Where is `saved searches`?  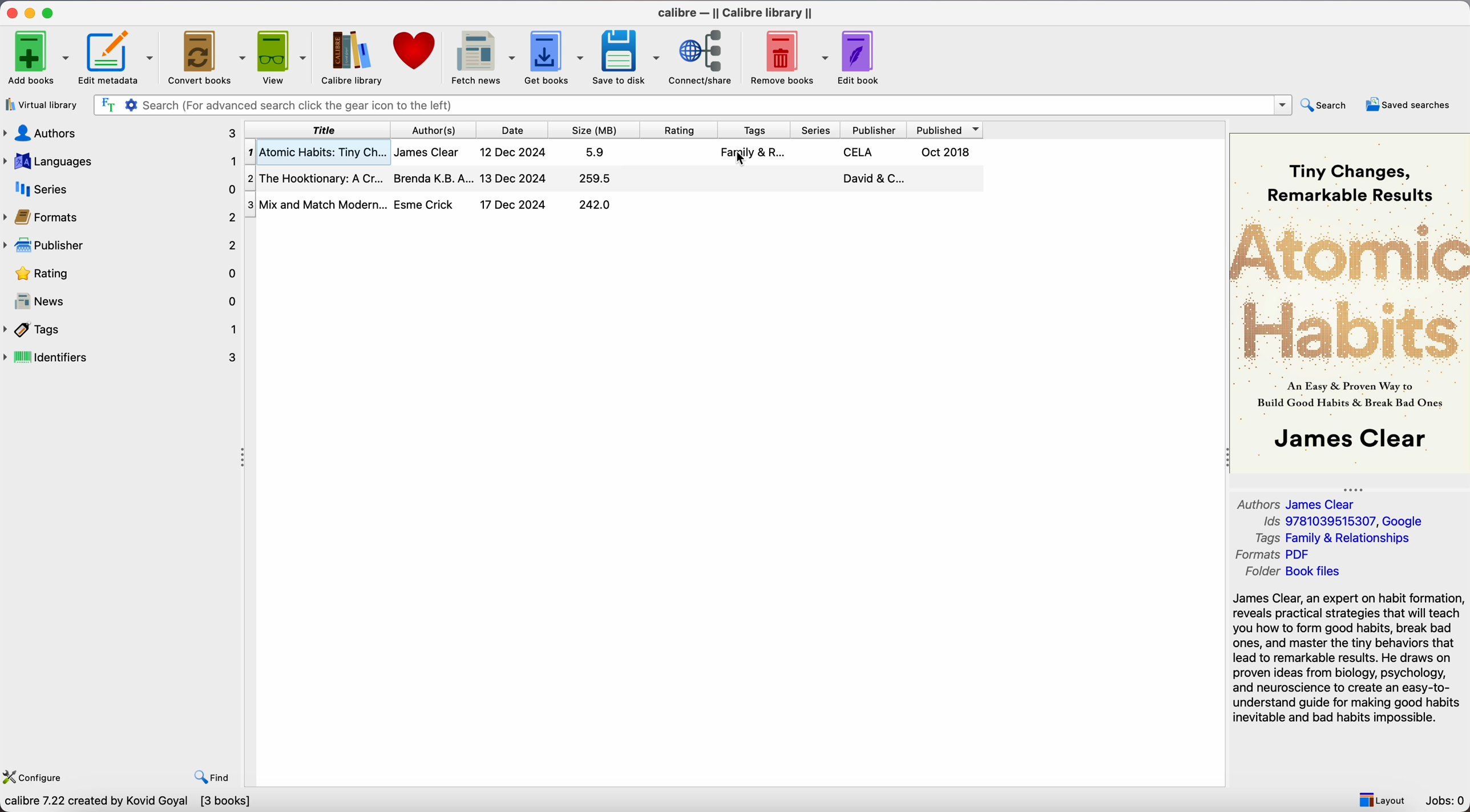 saved searches is located at coordinates (1407, 105).